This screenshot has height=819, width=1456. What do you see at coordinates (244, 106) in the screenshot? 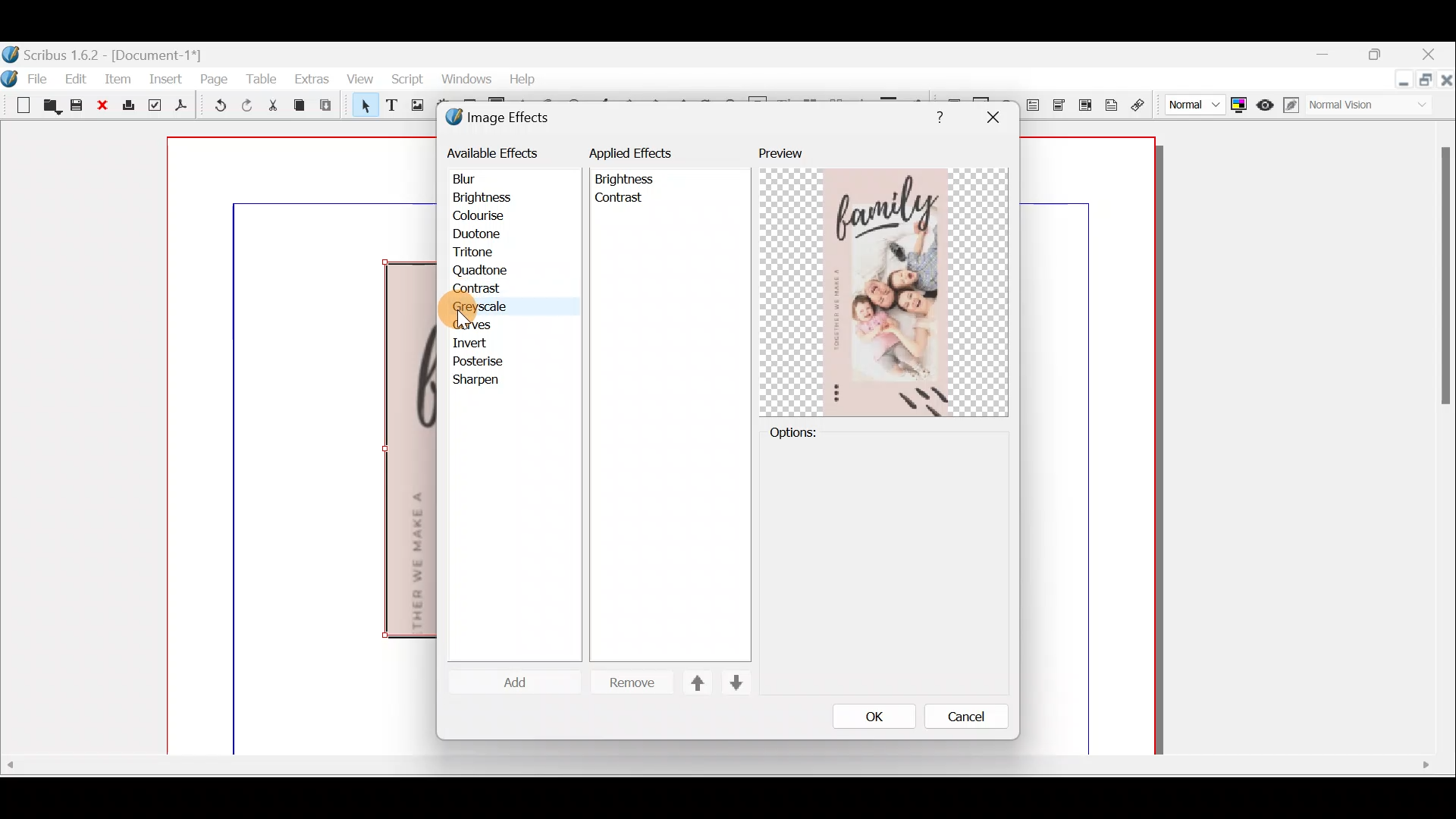
I see `Redo` at bounding box center [244, 106].